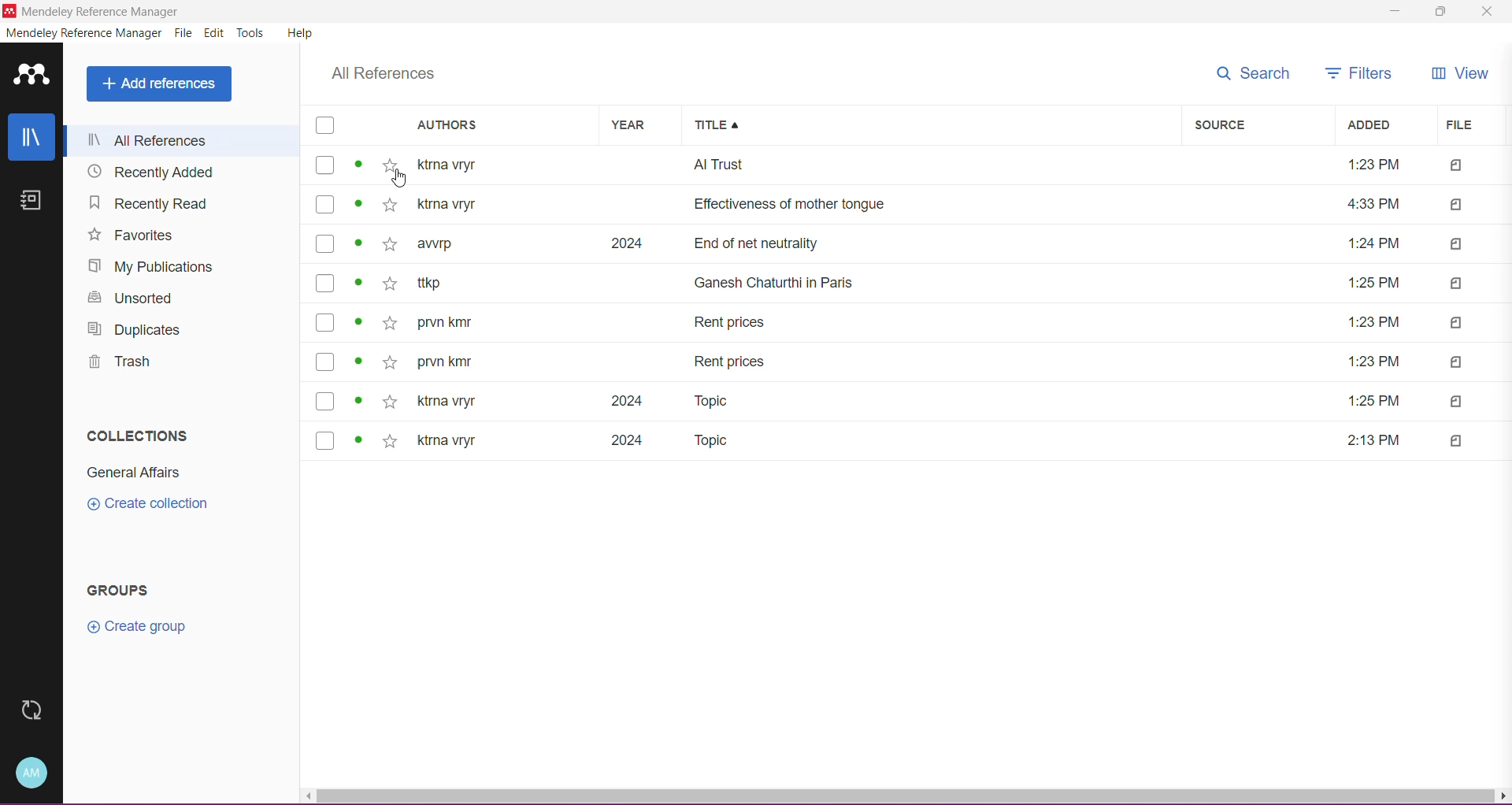  Describe the element at coordinates (325, 243) in the screenshot. I see `Click to select` at that location.